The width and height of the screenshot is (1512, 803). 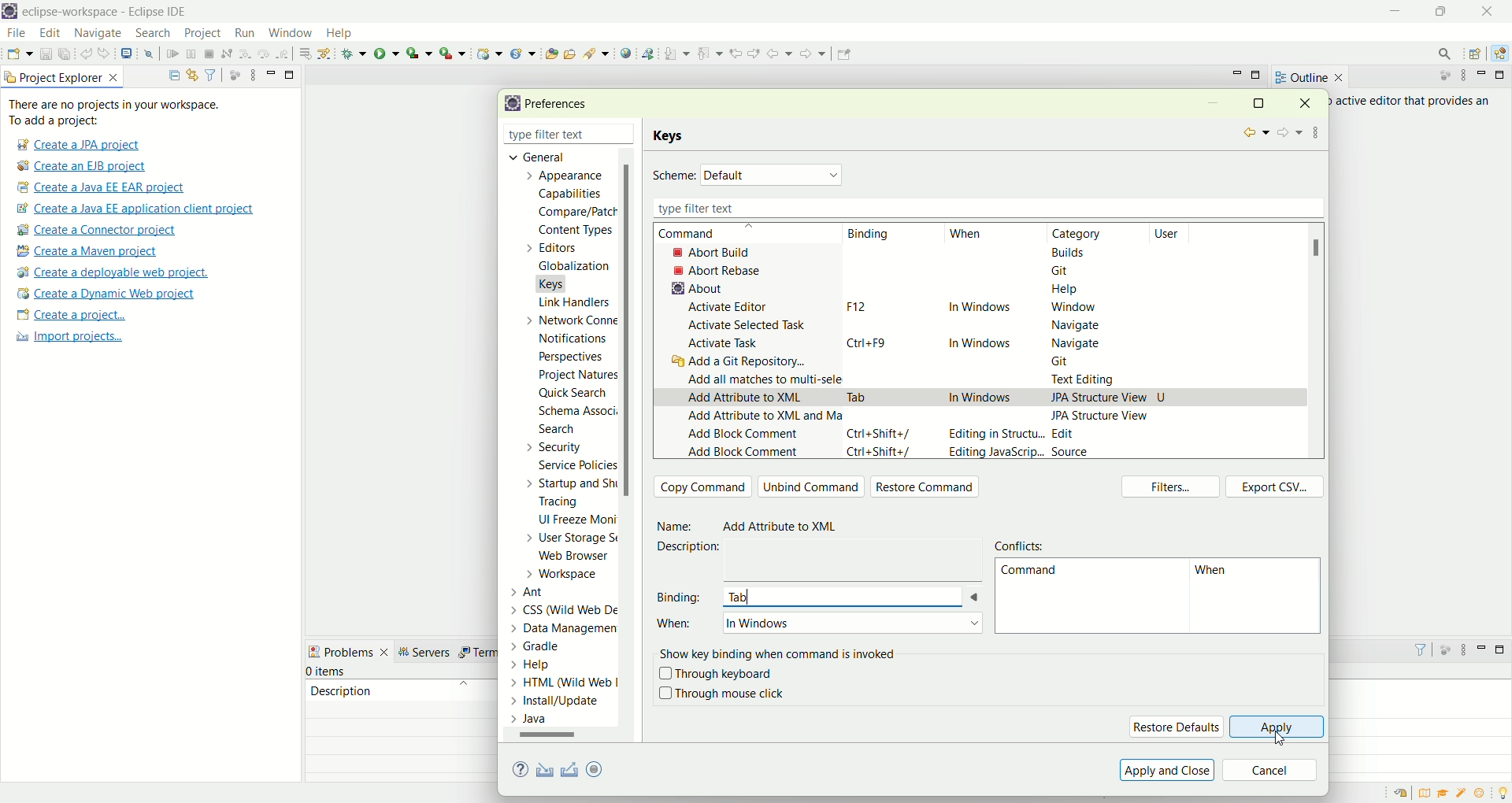 I want to click on add a Git repository, so click(x=743, y=363).